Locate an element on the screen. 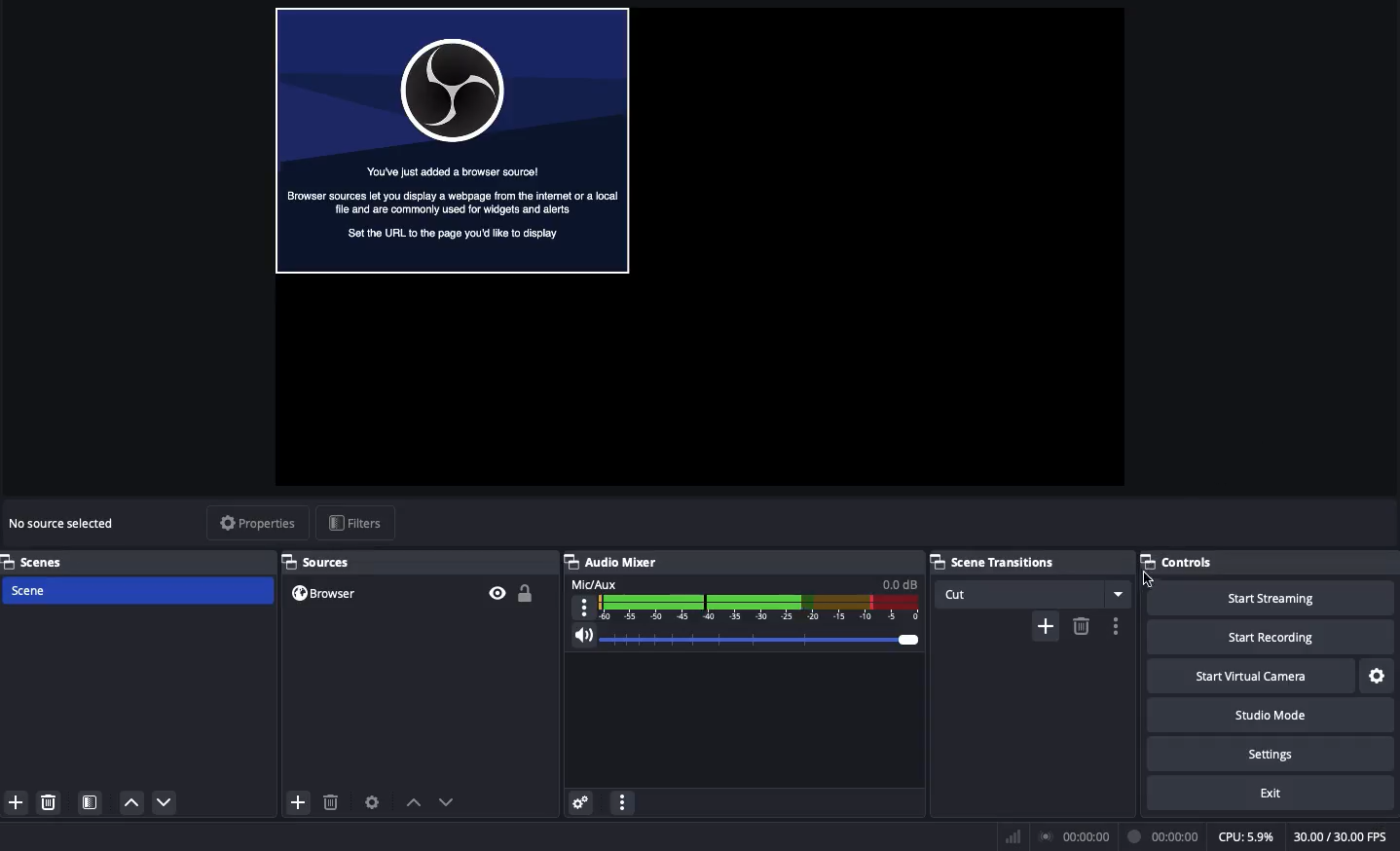 This screenshot has width=1400, height=851. Move down is located at coordinates (166, 801).